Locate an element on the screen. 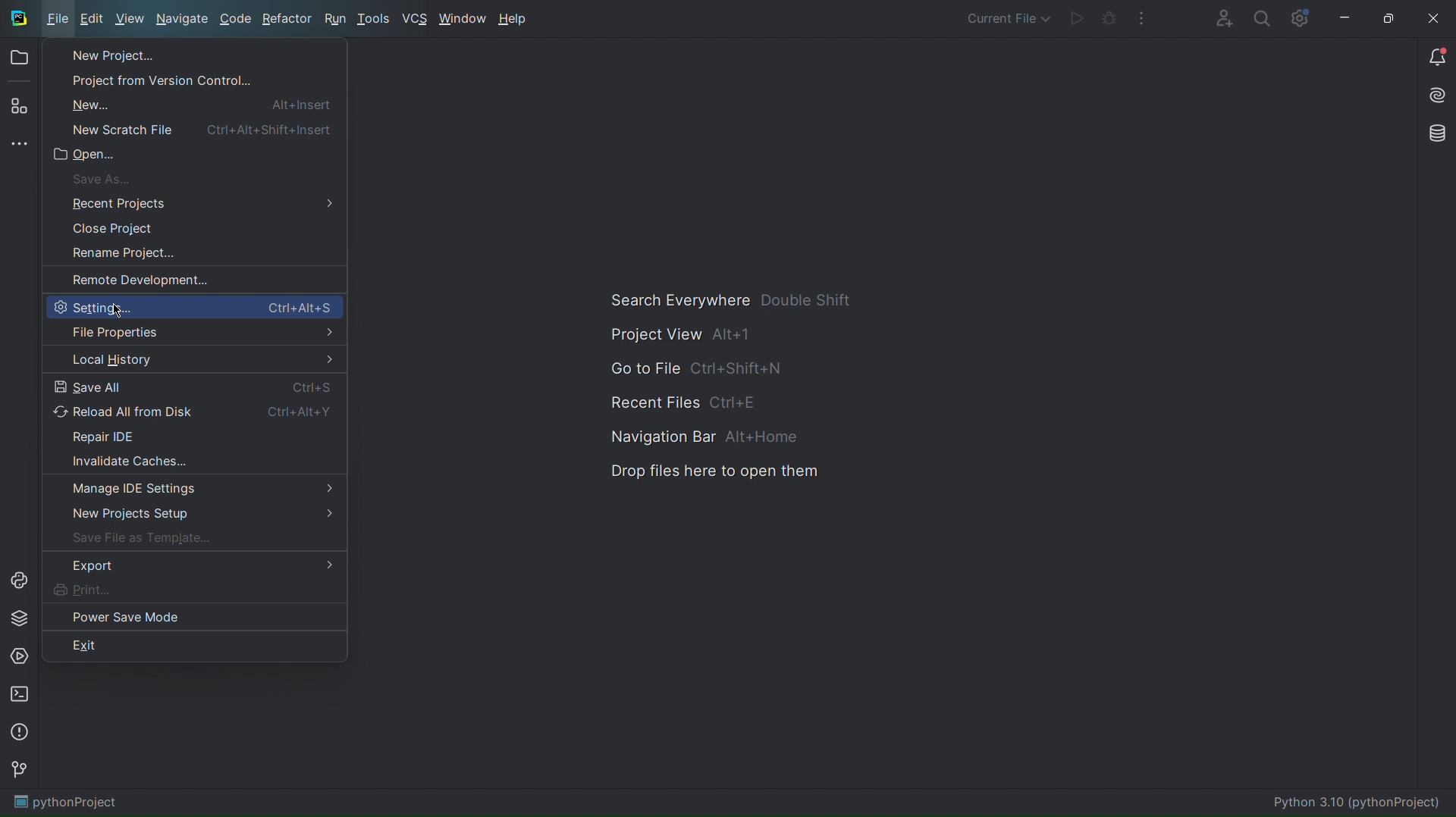 The height and width of the screenshot is (817, 1456). Navigation Bar is located at coordinates (696, 436).